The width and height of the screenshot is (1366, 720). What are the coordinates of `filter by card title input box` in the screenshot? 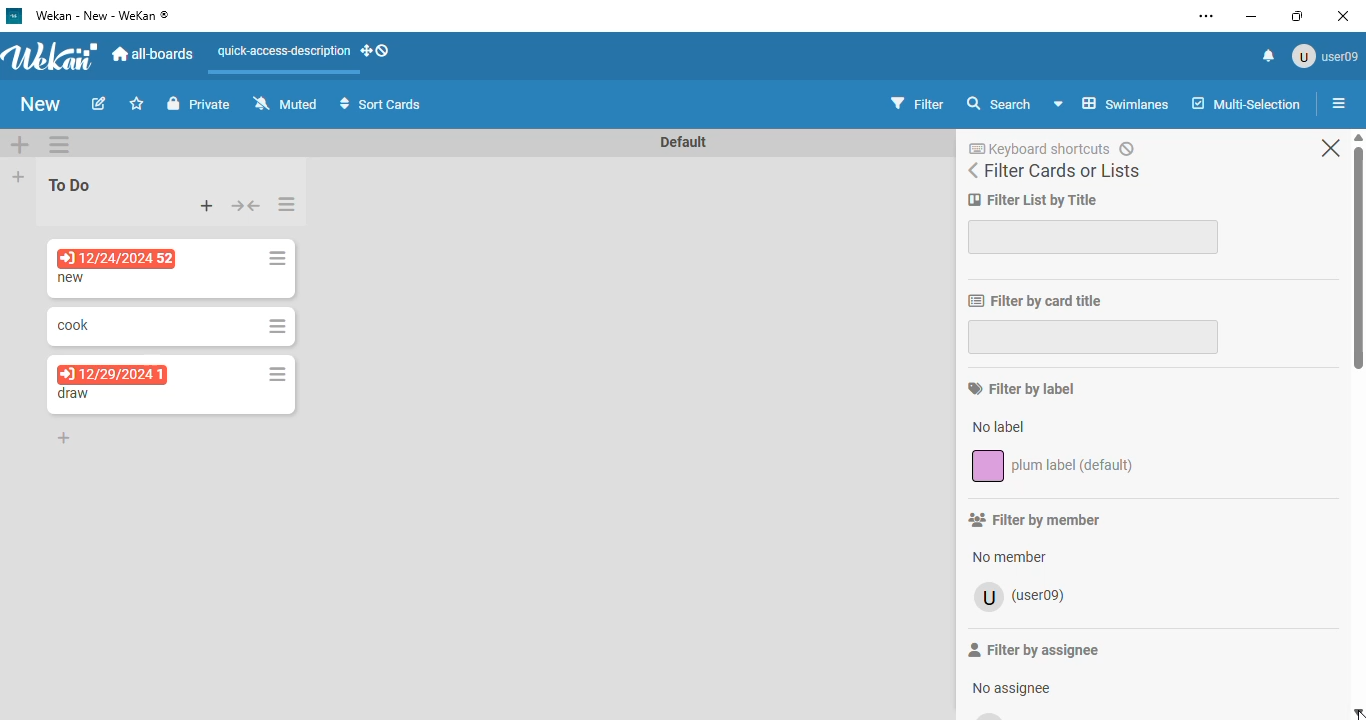 It's located at (1092, 336).